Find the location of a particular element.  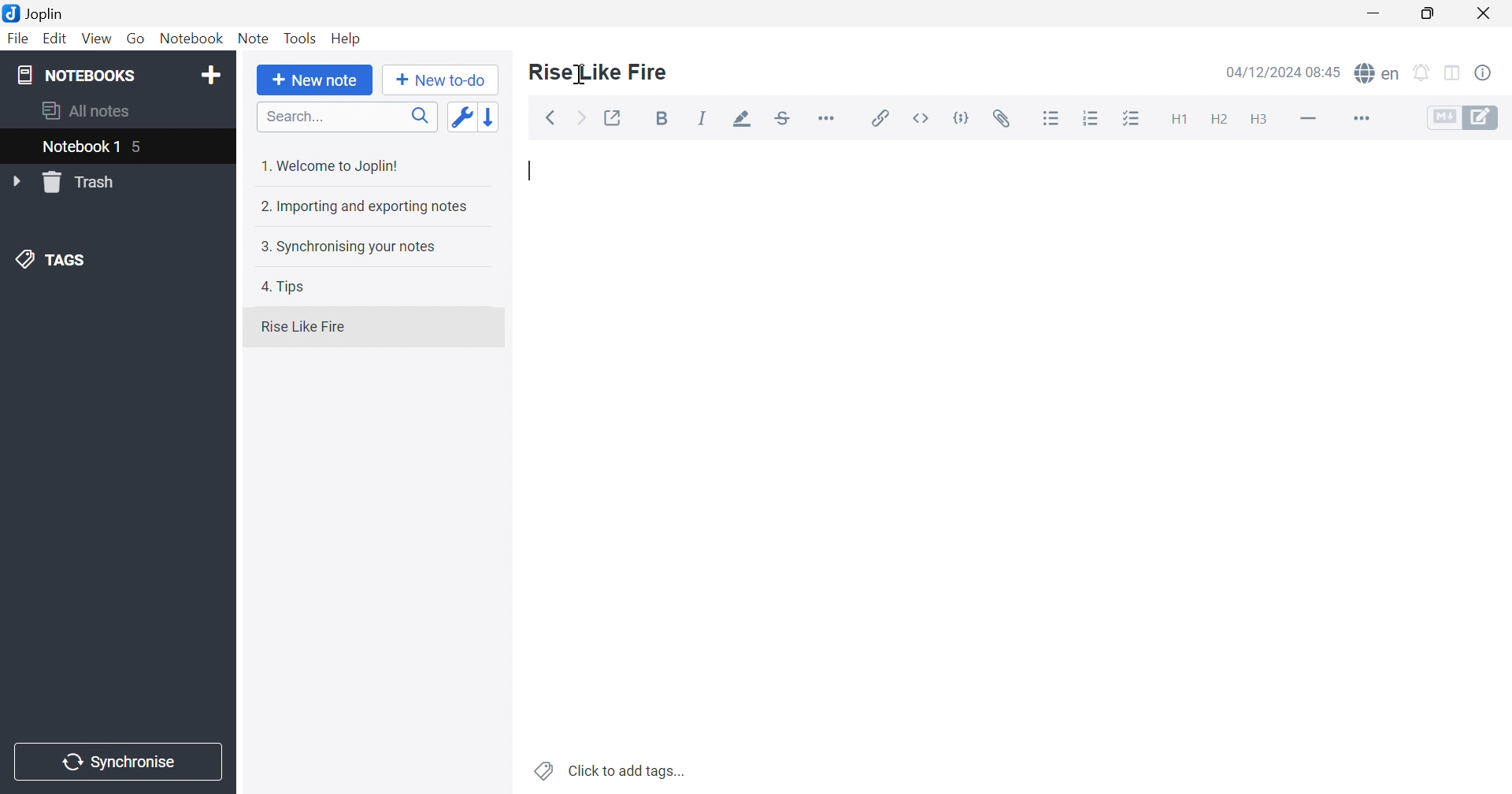

Strikethrough is located at coordinates (782, 118).